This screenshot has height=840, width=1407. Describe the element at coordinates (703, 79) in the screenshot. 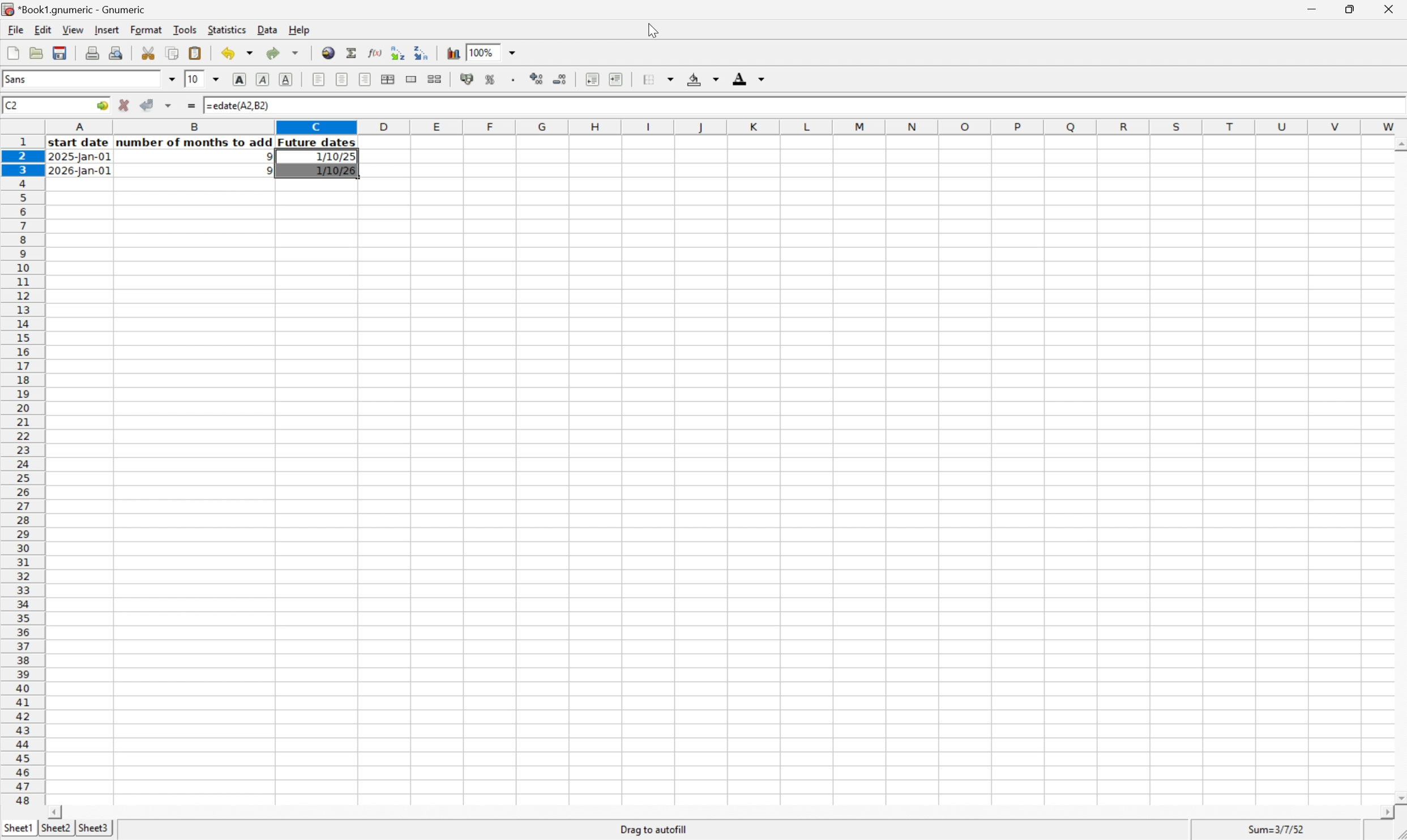

I see `Background` at that location.